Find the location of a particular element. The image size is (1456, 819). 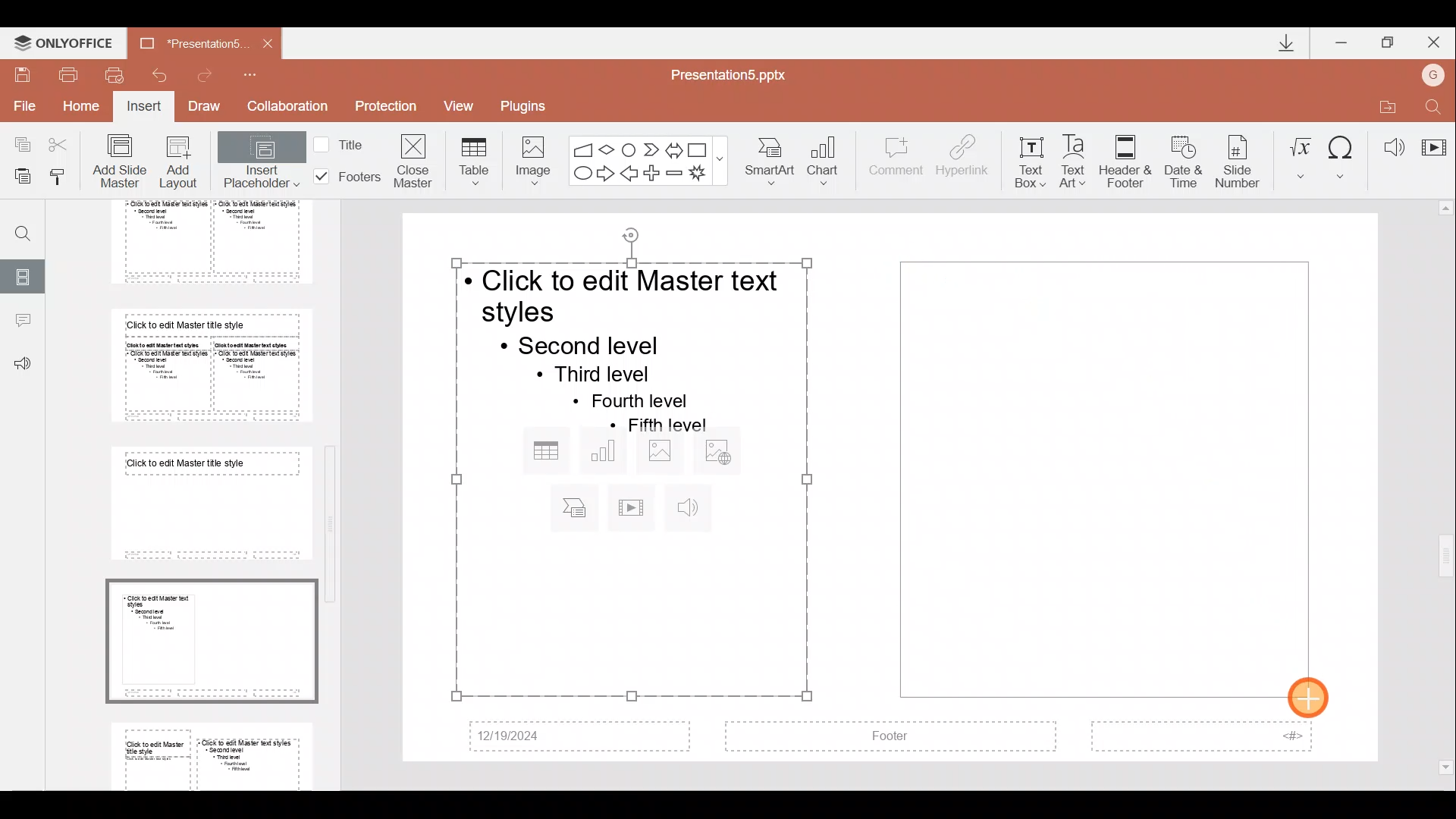

Flow chart-decision is located at coordinates (609, 149).